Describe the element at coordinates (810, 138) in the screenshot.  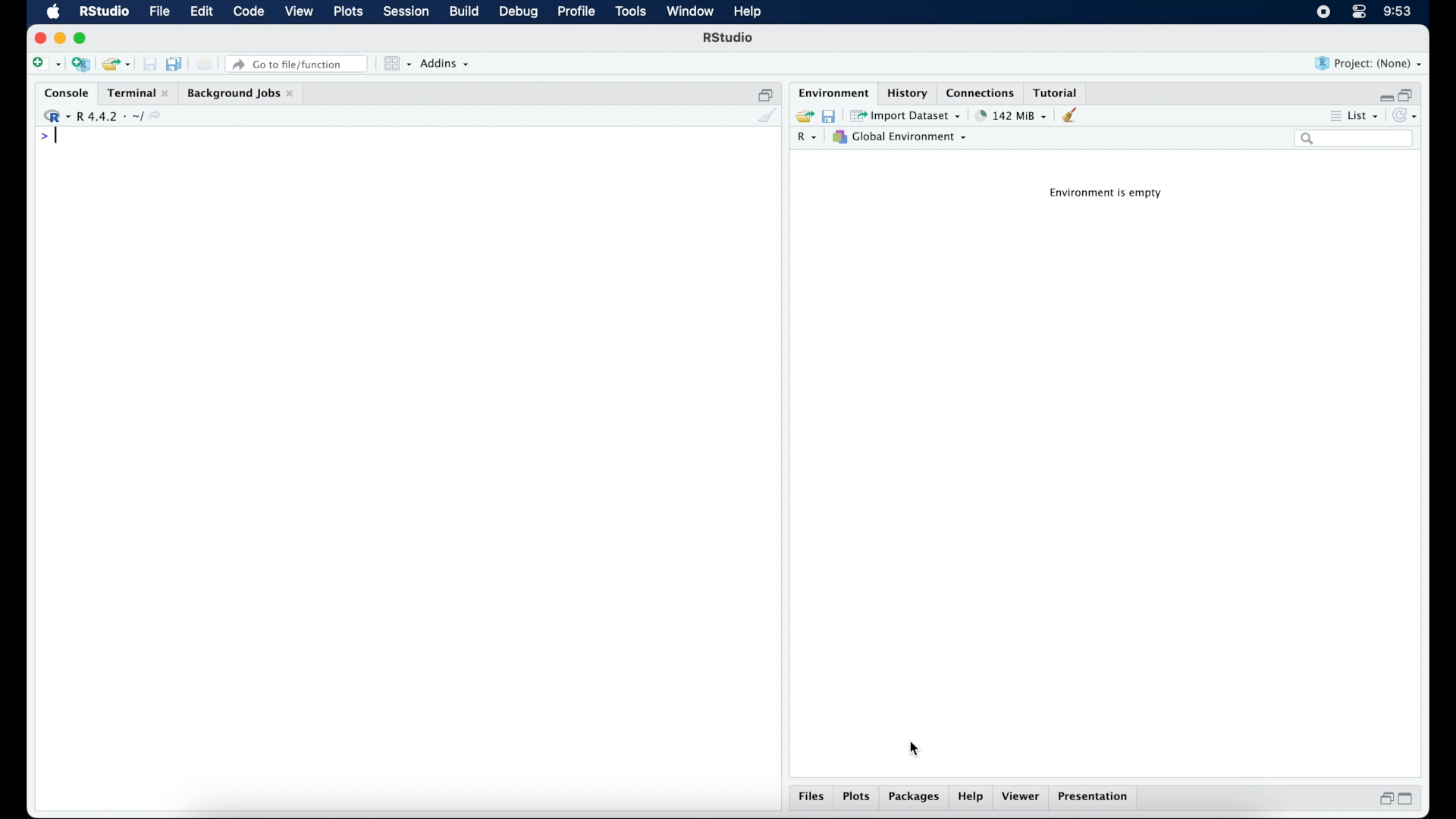
I see `R` at that location.